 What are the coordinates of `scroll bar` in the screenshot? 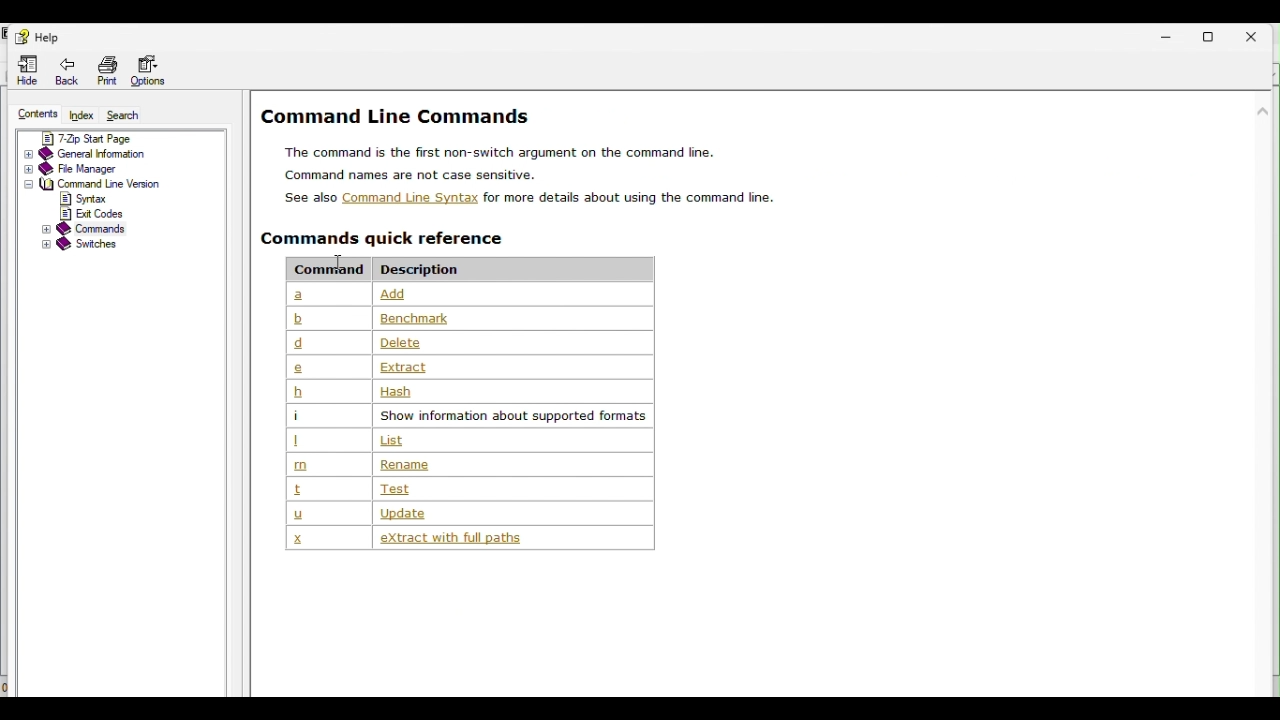 It's located at (1259, 288).